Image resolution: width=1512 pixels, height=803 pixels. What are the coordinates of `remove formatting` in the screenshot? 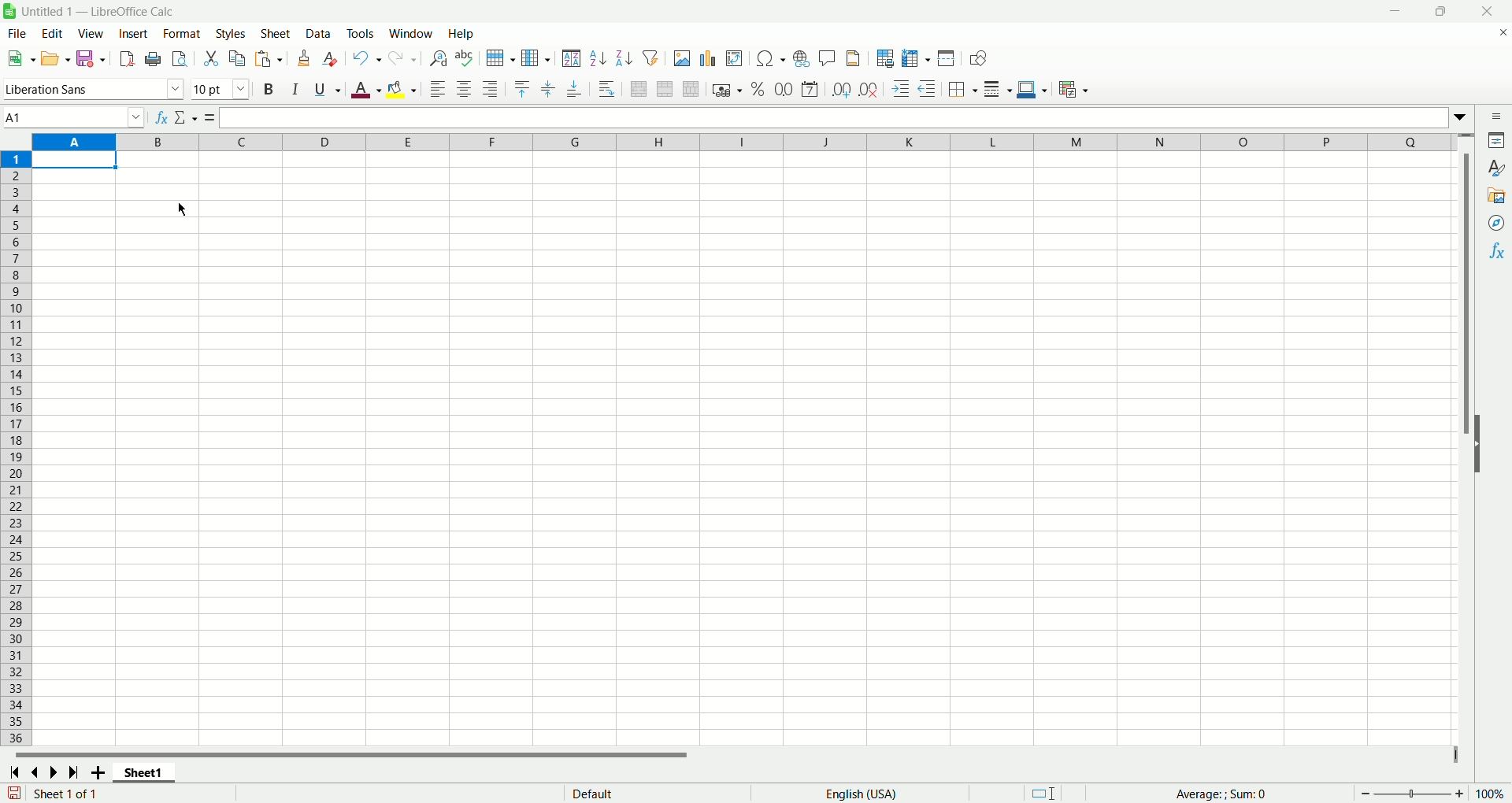 It's located at (333, 59).